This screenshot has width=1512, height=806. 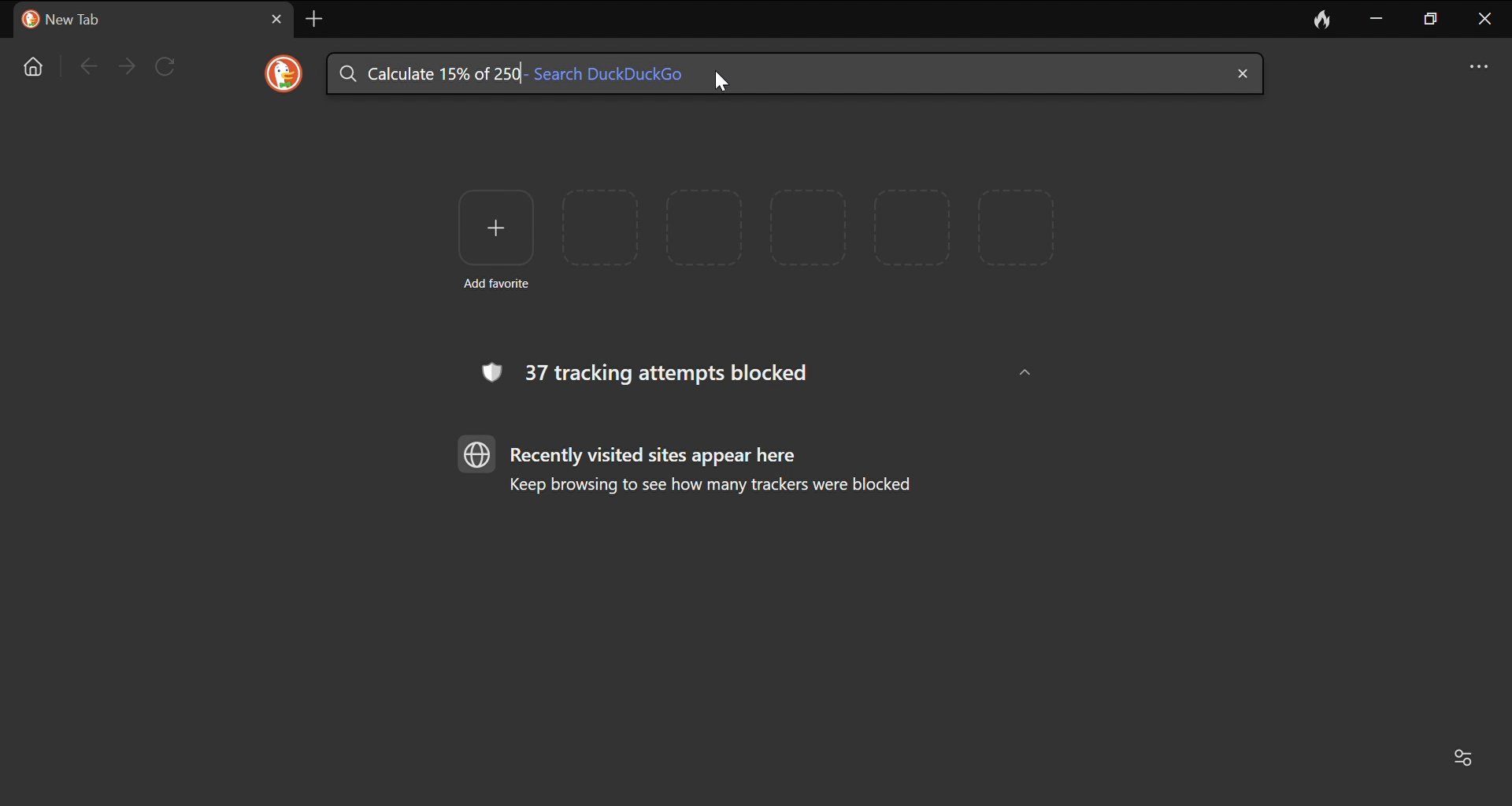 I want to click on close, so click(x=1486, y=20).